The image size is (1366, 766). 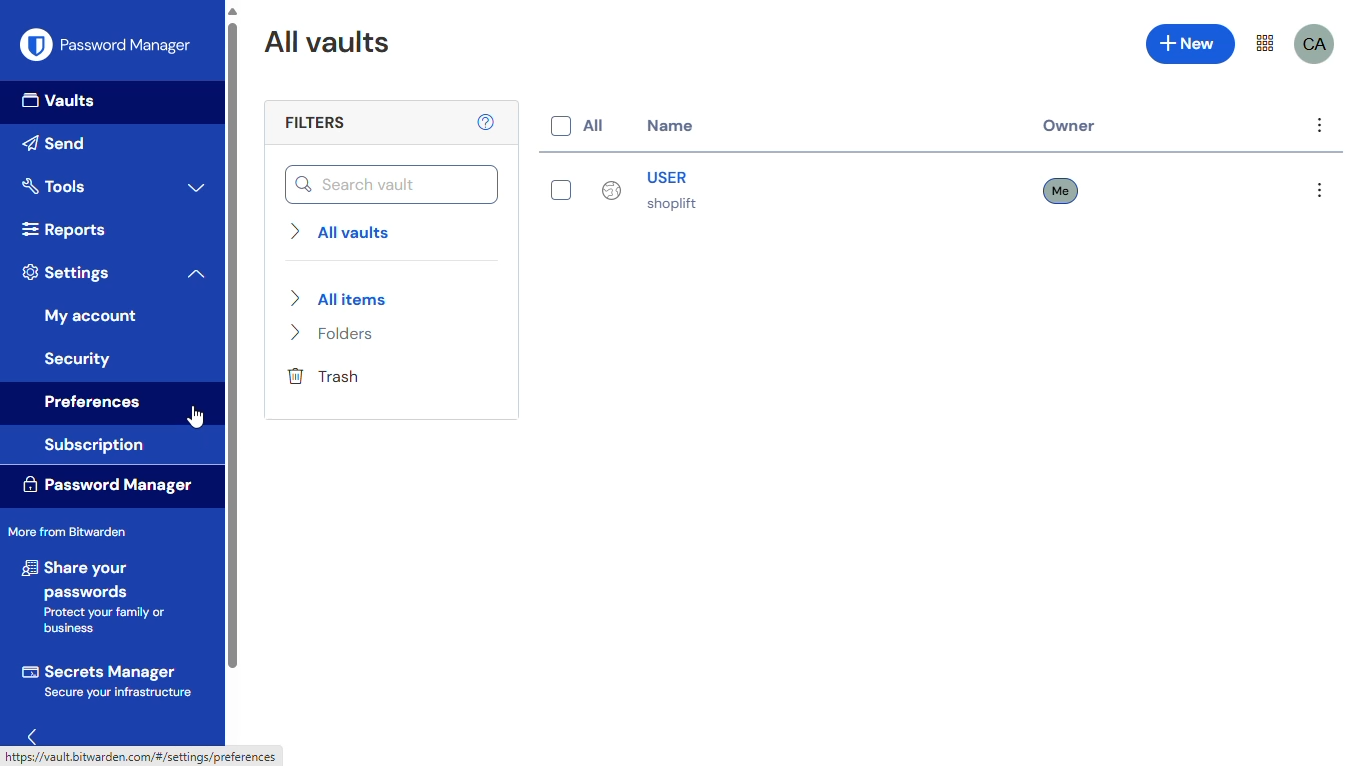 I want to click on subscription, so click(x=95, y=446).